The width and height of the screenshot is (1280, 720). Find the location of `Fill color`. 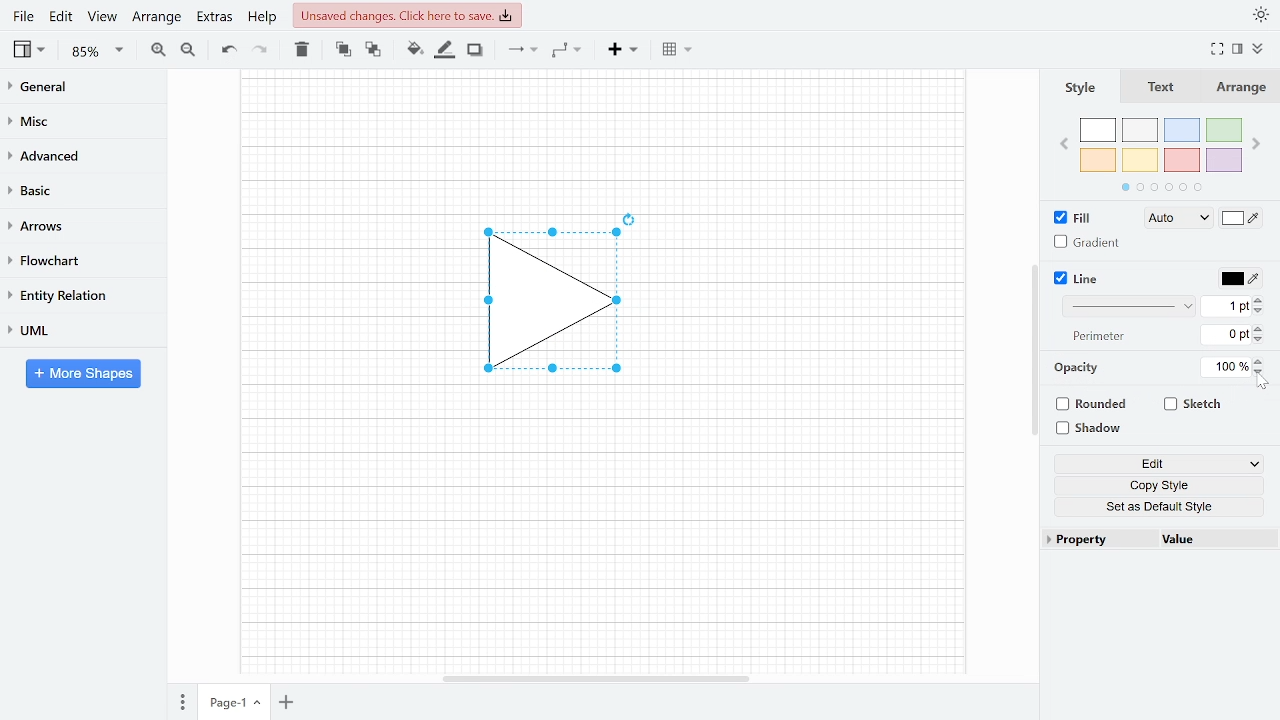

Fill color is located at coordinates (1242, 220).